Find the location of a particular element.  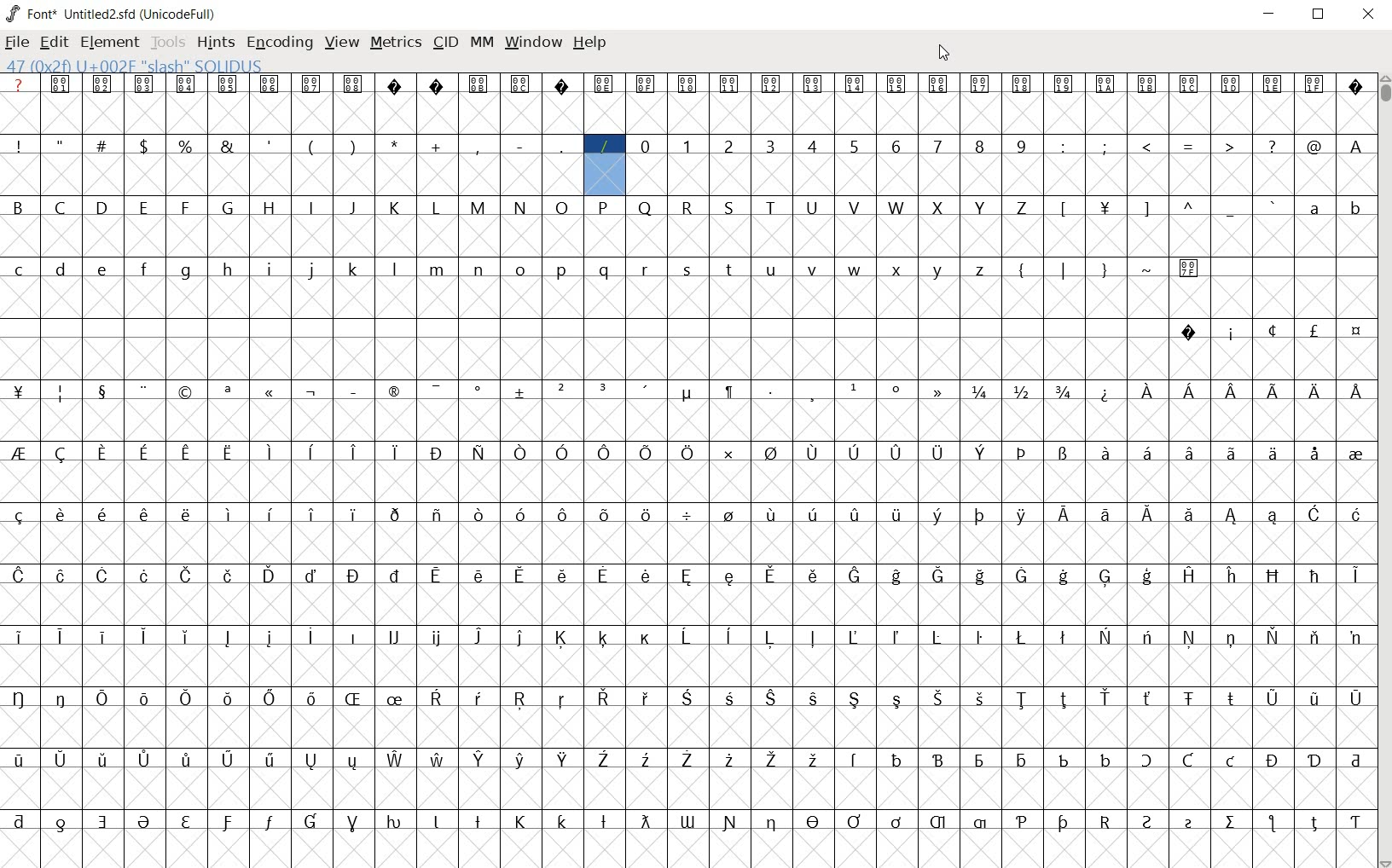

glyph is located at coordinates (1188, 333).